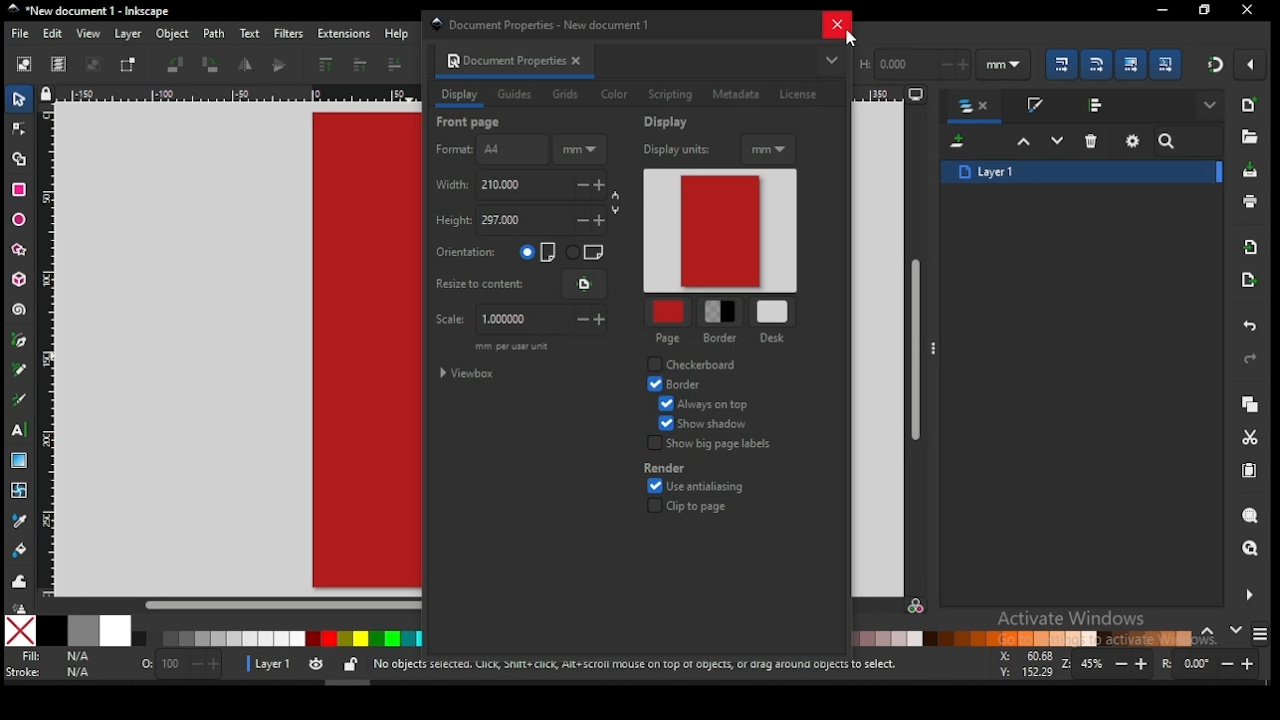 Image resolution: width=1280 pixels, height=720 pixels. Describe the element at coordinates (1253, 473) in the screenshot. I see `paste` at that location.